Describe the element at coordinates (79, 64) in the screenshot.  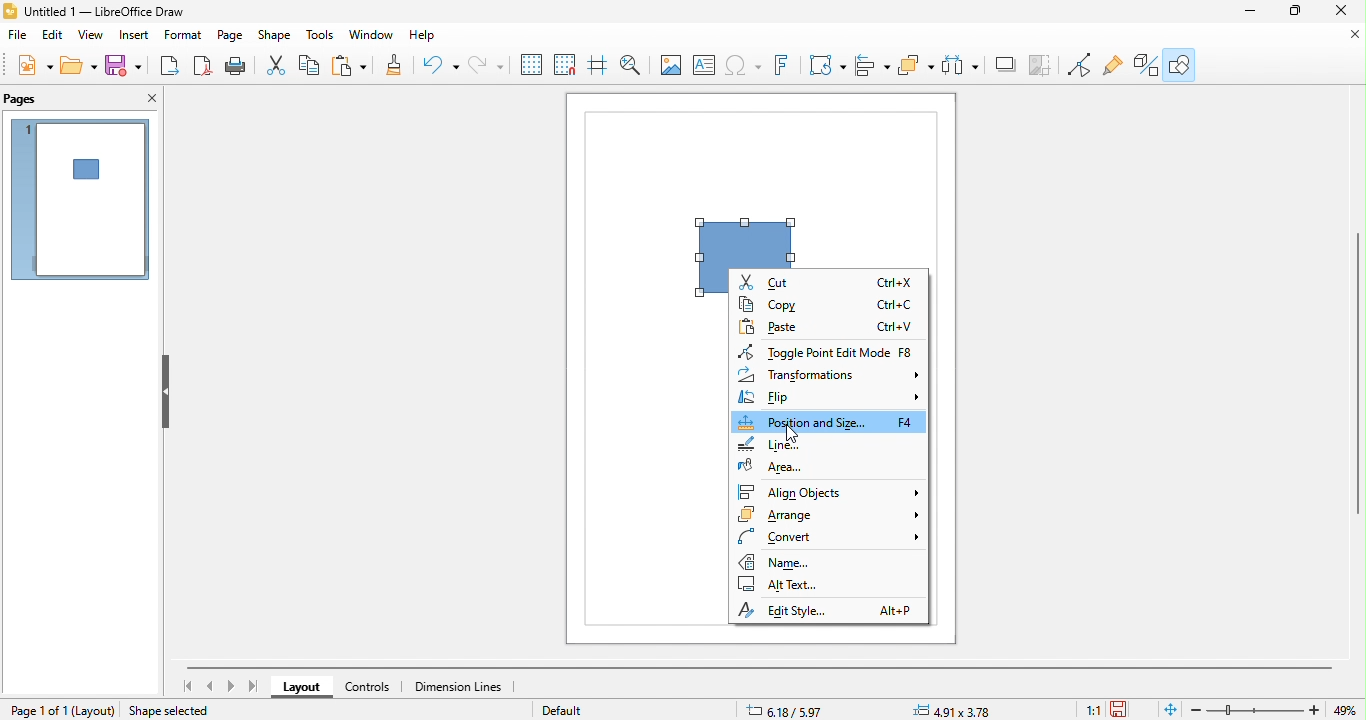
I see `open` at that location.